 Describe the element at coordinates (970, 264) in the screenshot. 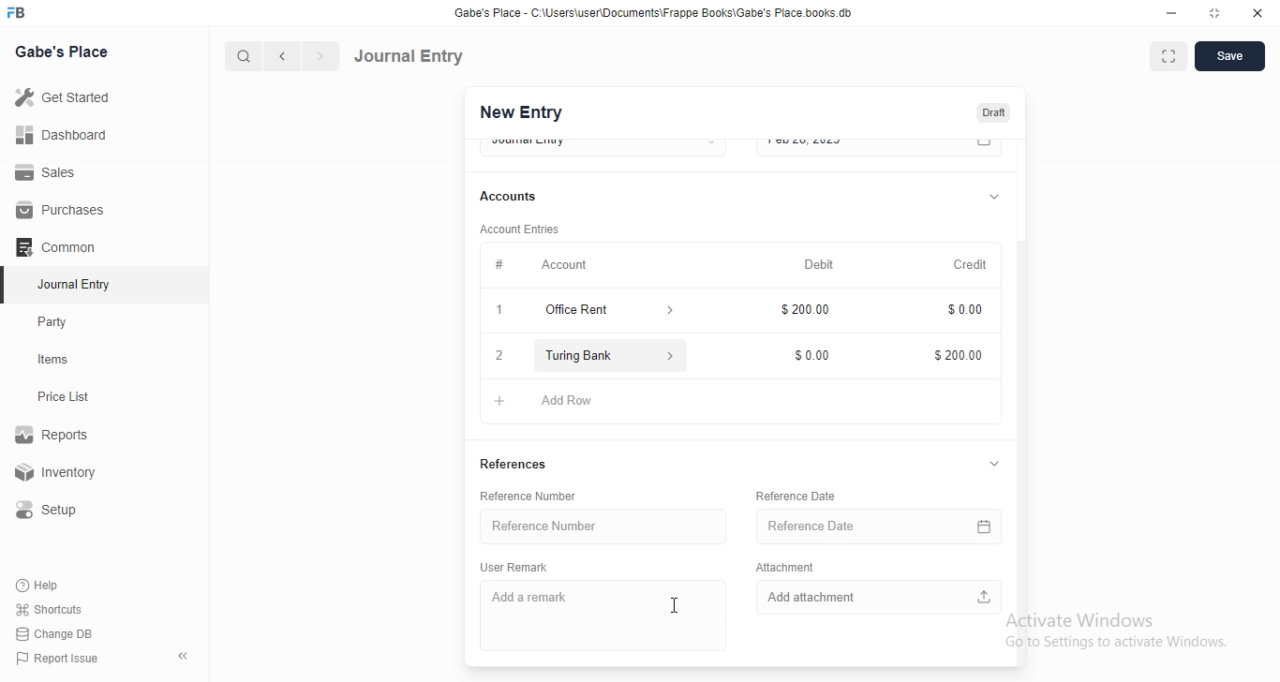

I see `Credit` at that location.